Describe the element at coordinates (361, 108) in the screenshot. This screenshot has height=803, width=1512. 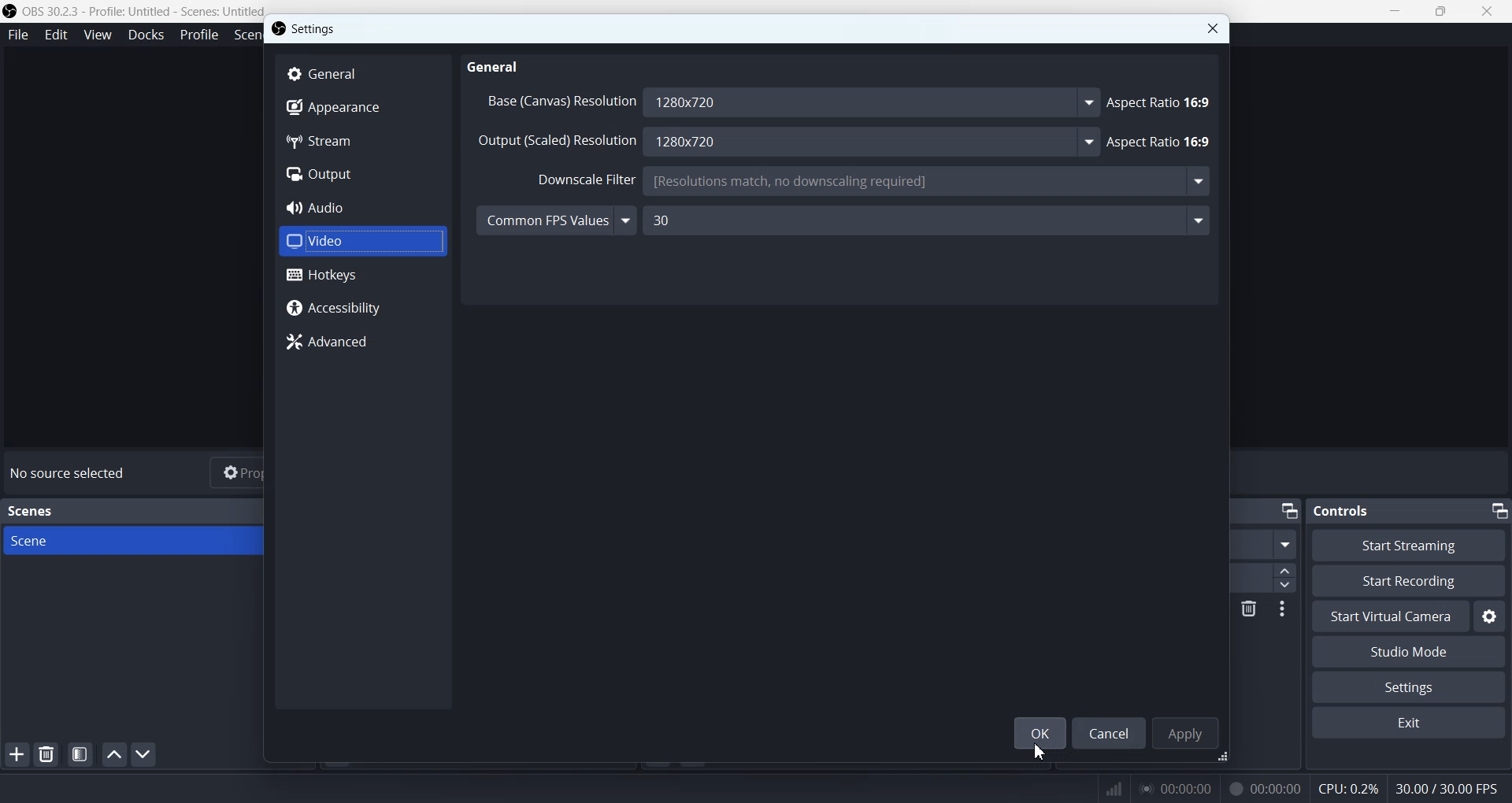
I see `Appearance` at that location.